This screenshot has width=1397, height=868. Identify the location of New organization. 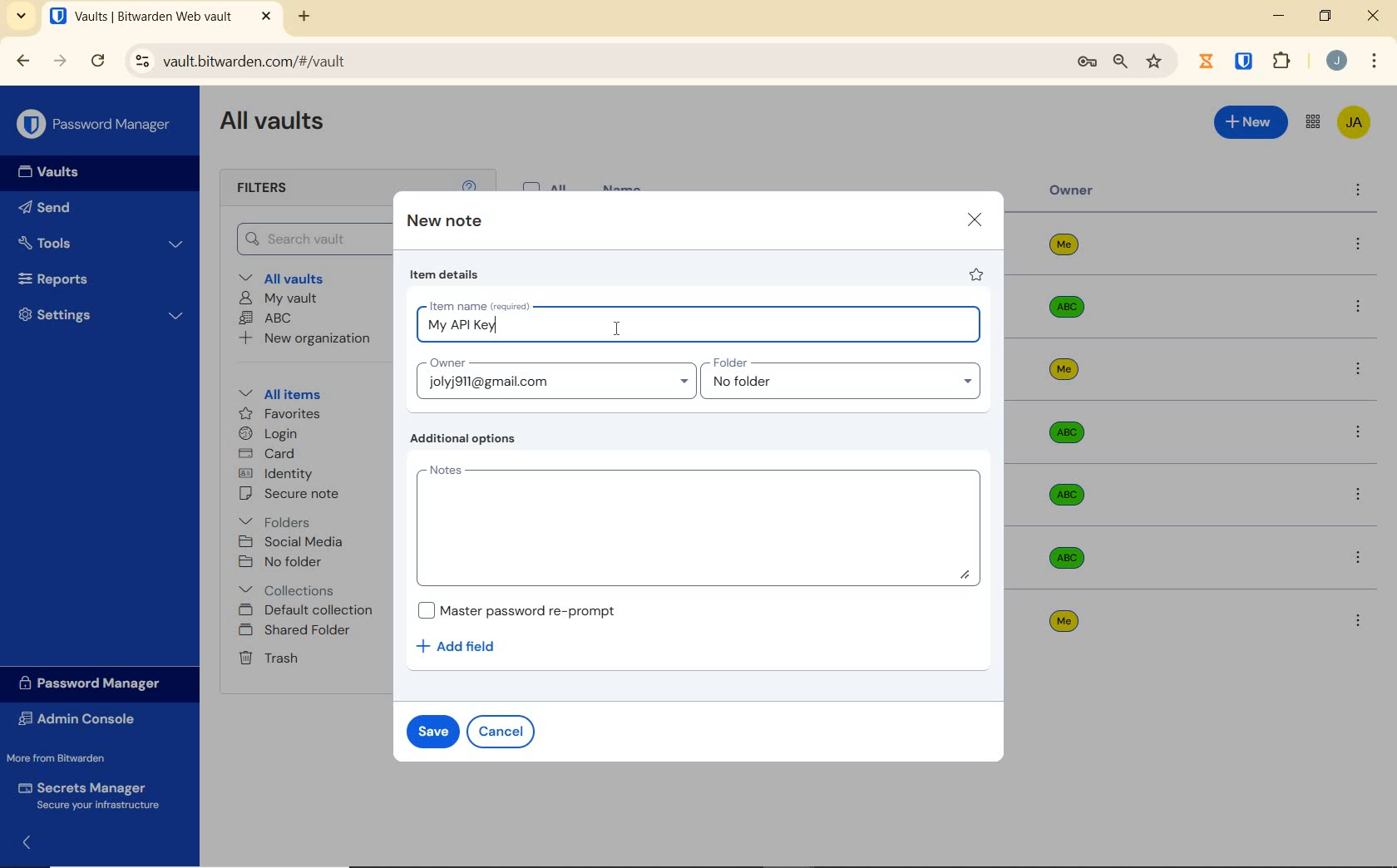
(310, 341).